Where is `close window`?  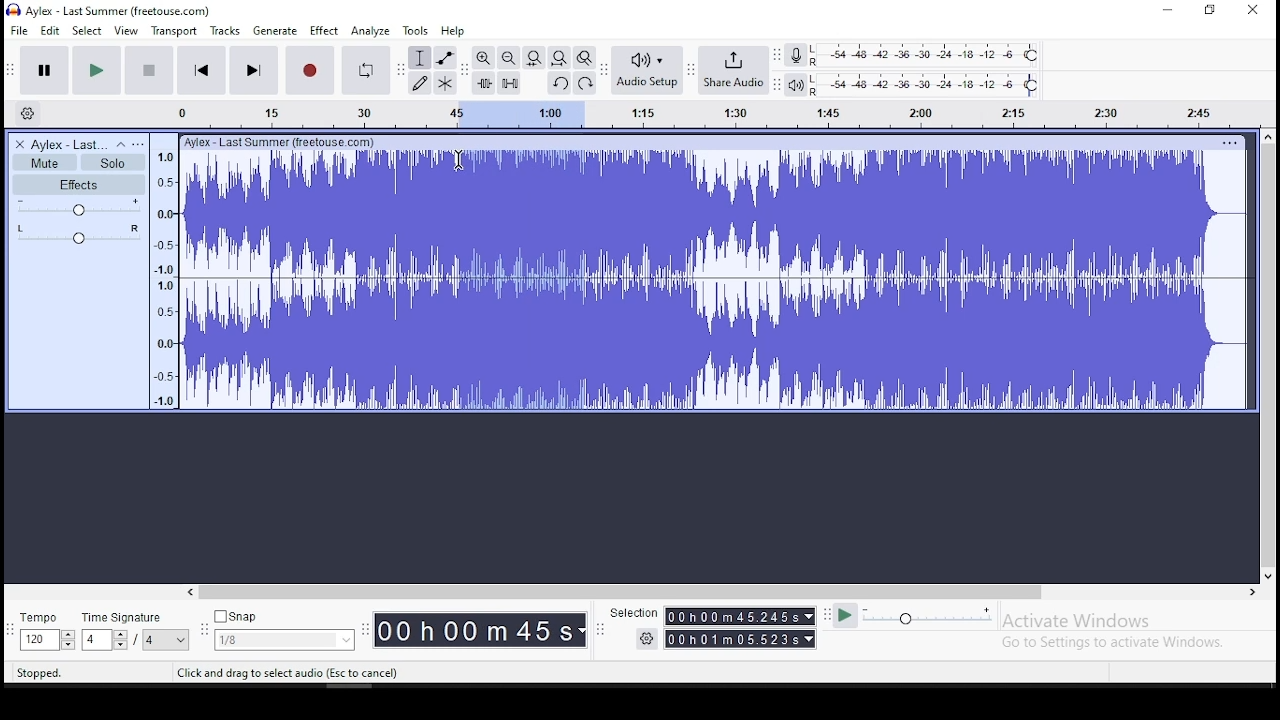 close window is located at coordinates (1253, 11).